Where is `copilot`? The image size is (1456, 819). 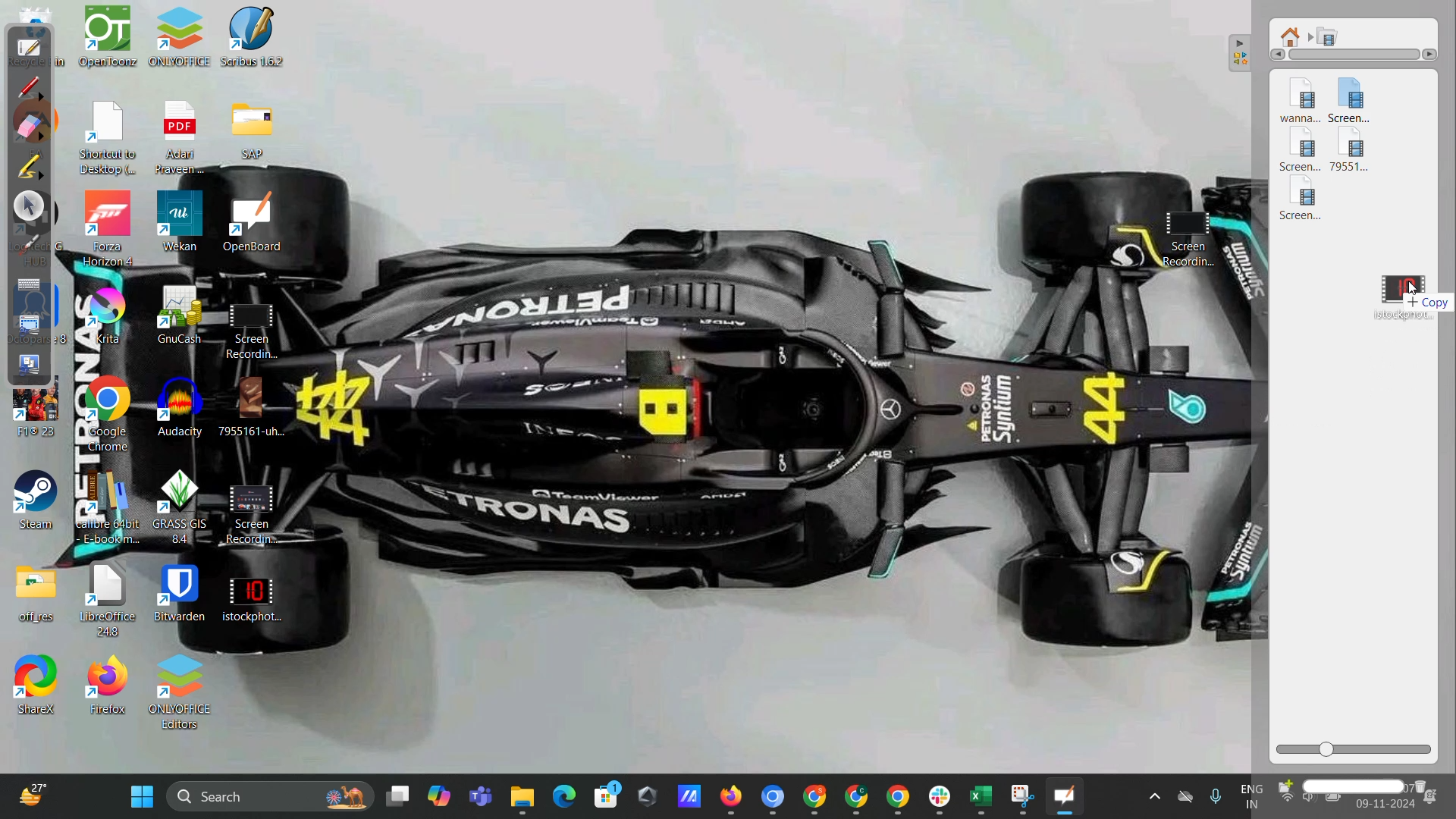 copilot is located at coordinates (438, 799).